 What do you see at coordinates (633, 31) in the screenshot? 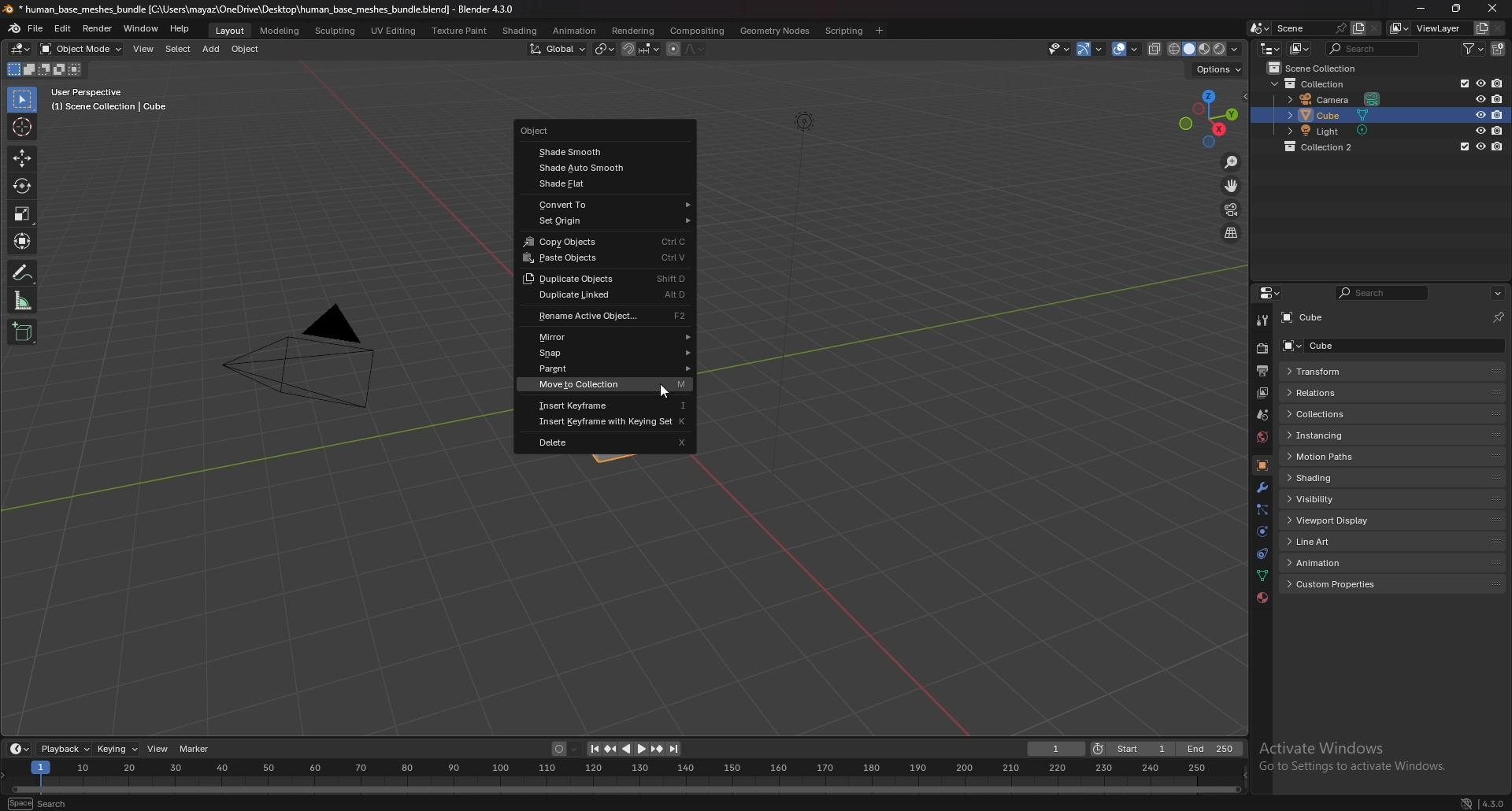
I see `rendering` at bounding box center [633, 31].